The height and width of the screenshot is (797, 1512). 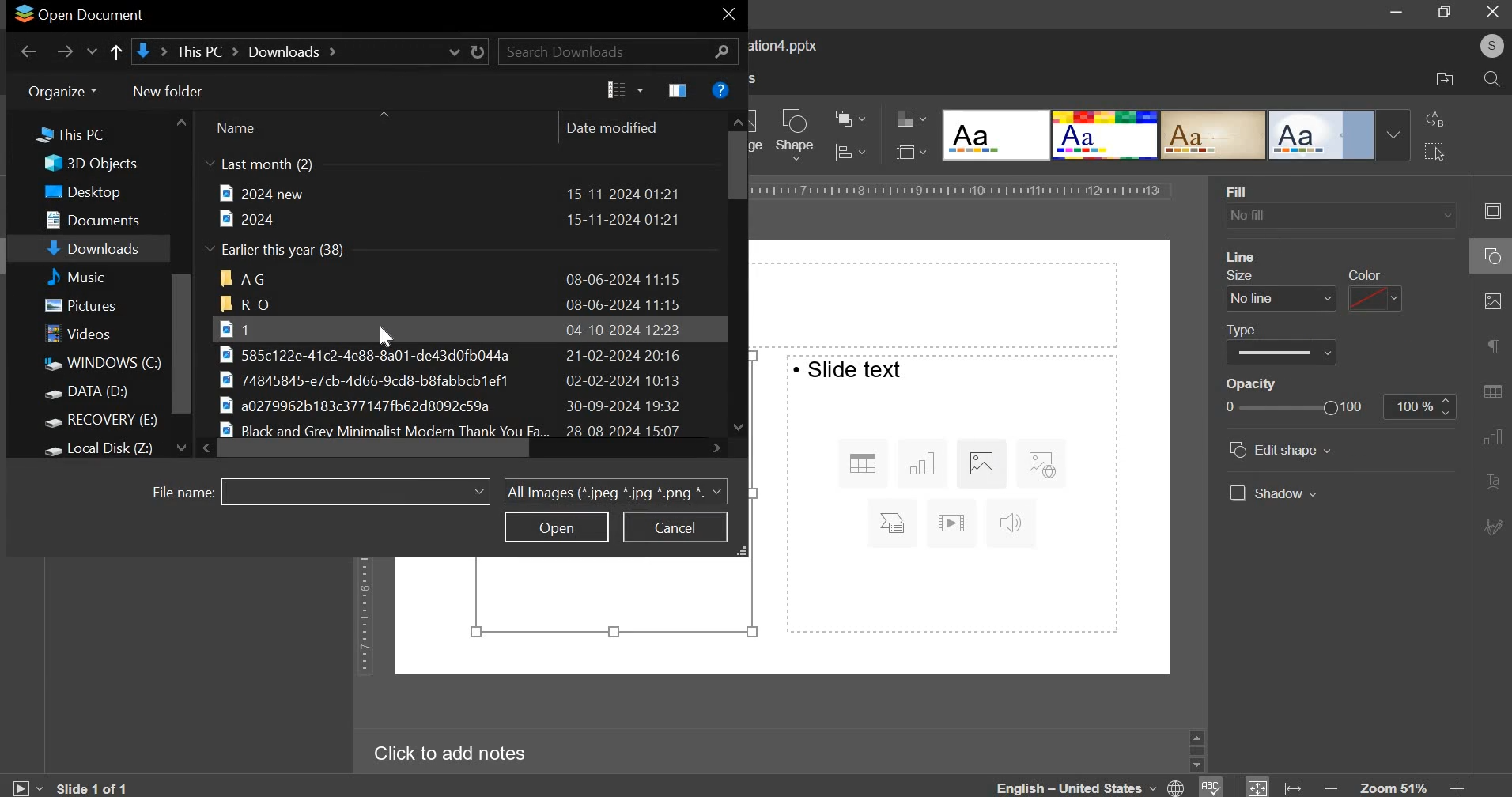 What do you see at coordinates (278, 251) in the screenshot?
I see `earlier this year` at bounding box center [278, 251].